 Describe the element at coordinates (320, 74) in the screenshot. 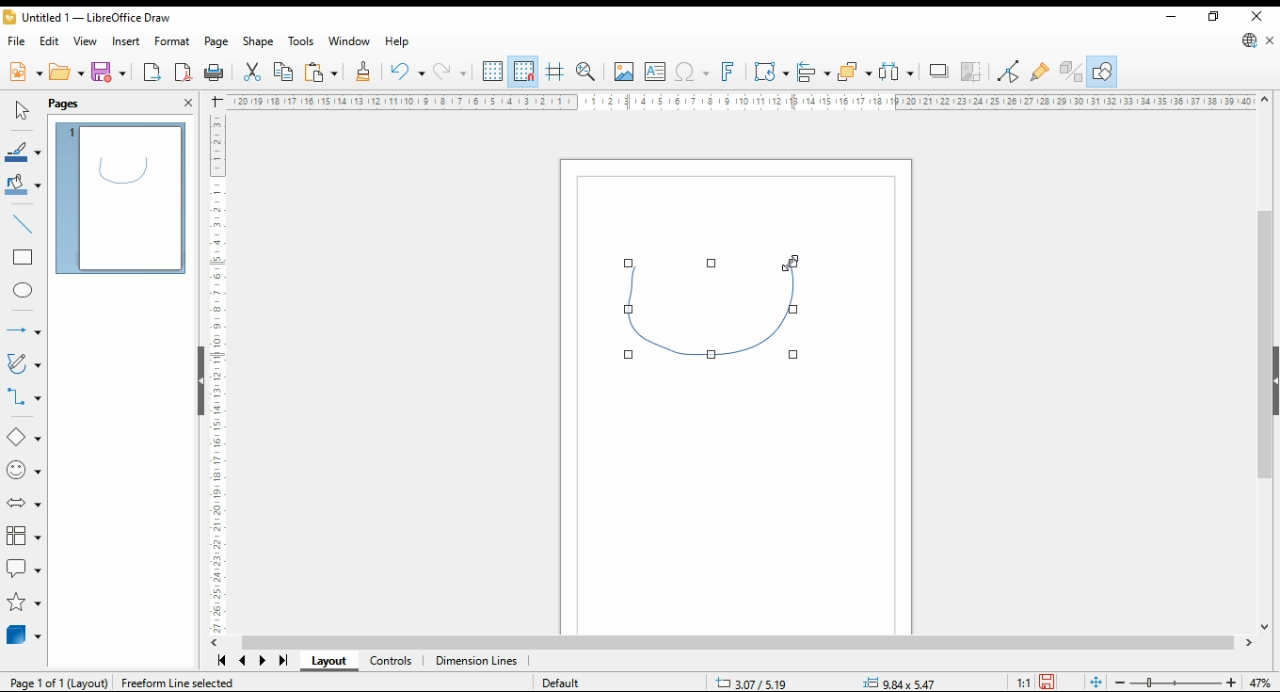

I see `paste` at that location.